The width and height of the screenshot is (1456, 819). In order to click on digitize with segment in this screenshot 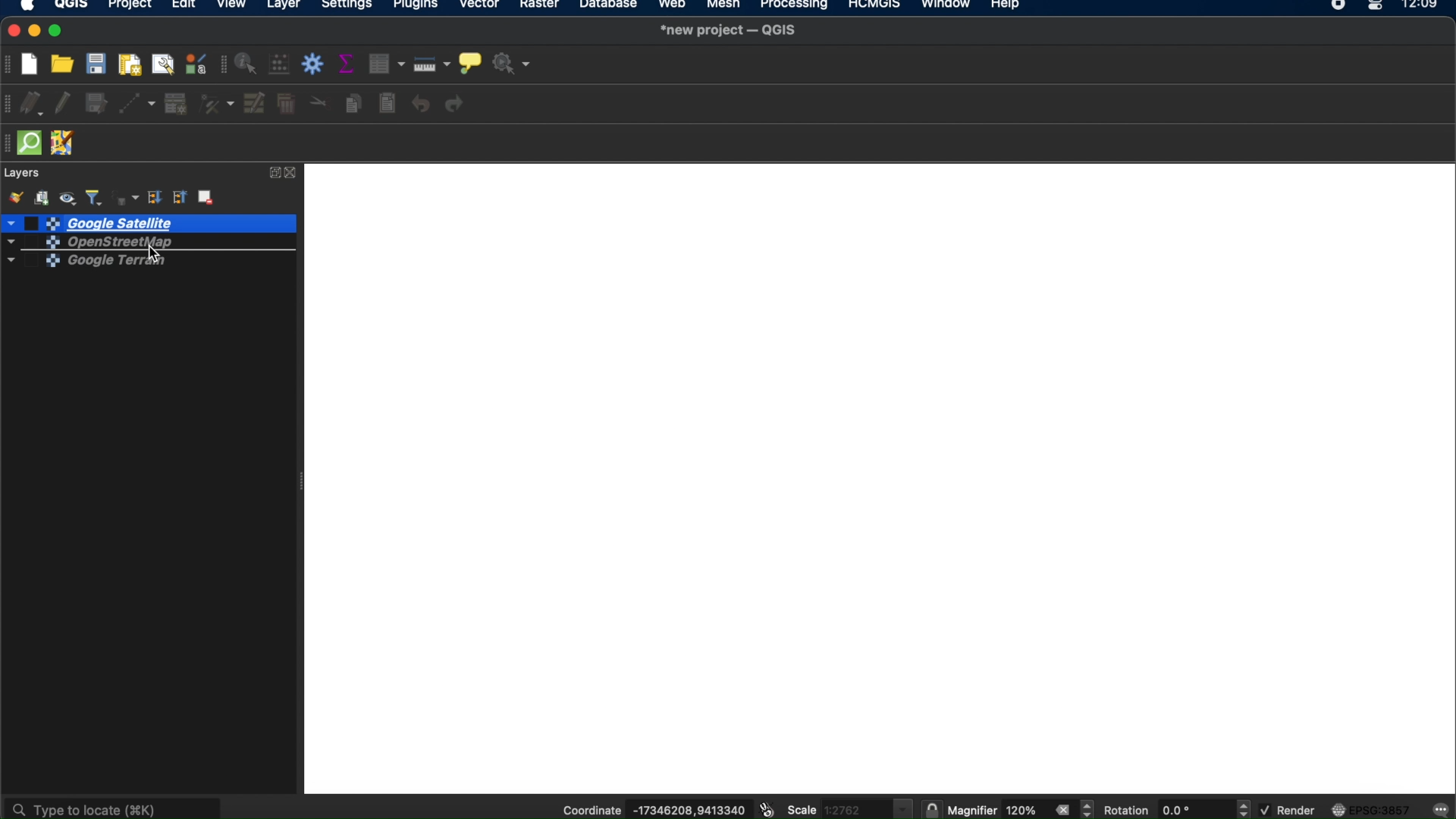, I will do `click(139, 103)`.